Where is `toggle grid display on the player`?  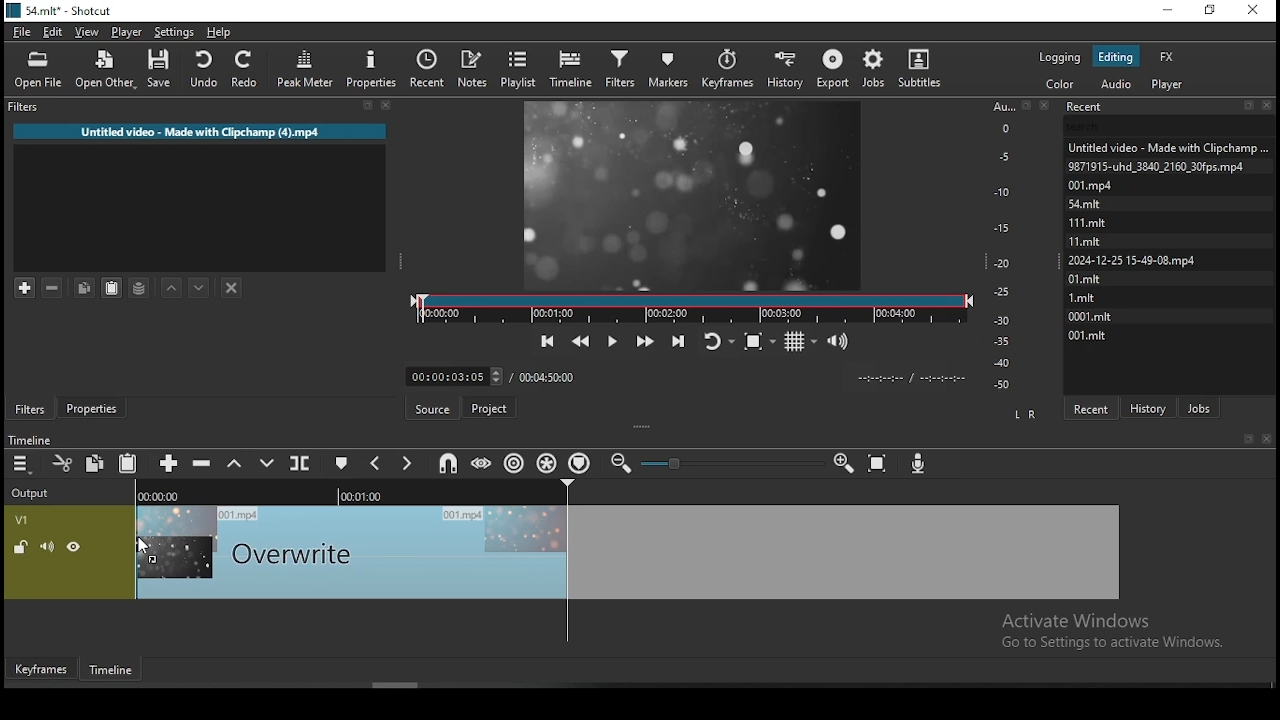 toggle grid display on the player is located at coordinates (802, 342).